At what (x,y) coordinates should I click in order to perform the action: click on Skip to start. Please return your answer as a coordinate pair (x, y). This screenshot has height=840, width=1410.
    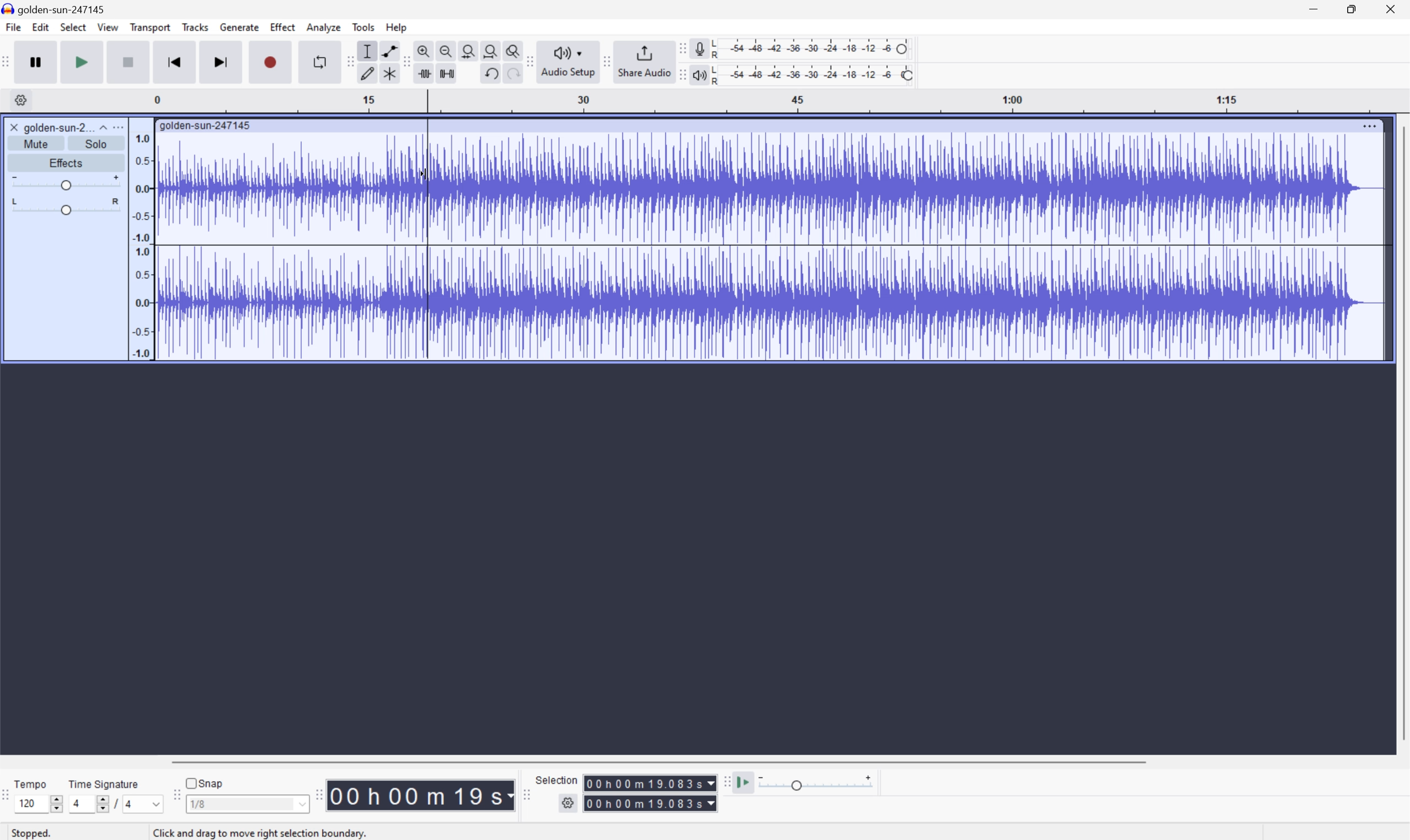
    Looking at the image, I should click on (176, 62).